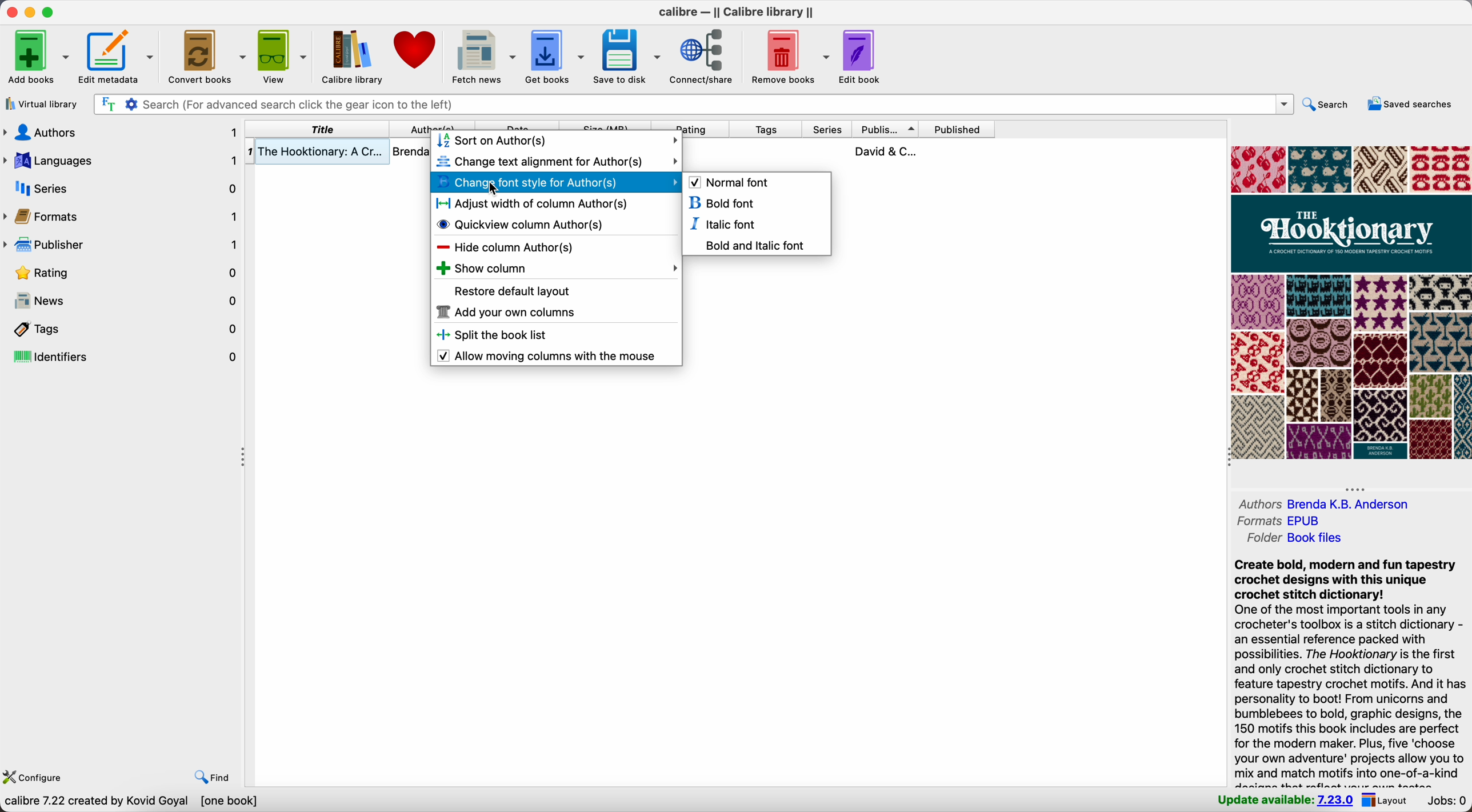 This screenshot has height=812, width=1472. I want to click on view, so click(282, 56).